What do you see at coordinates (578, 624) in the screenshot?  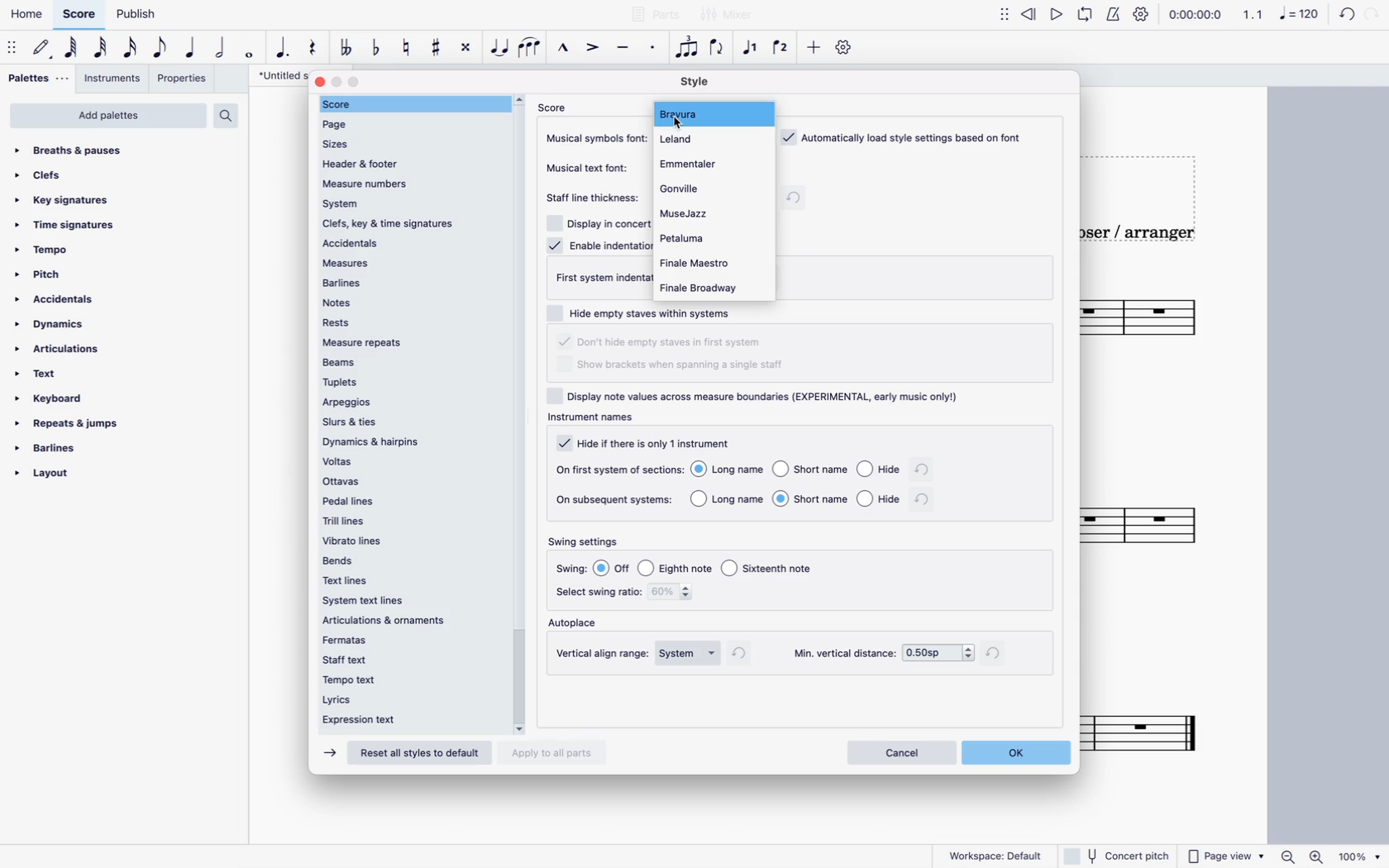 I see `autoplace` at bounding box center [578, 624].